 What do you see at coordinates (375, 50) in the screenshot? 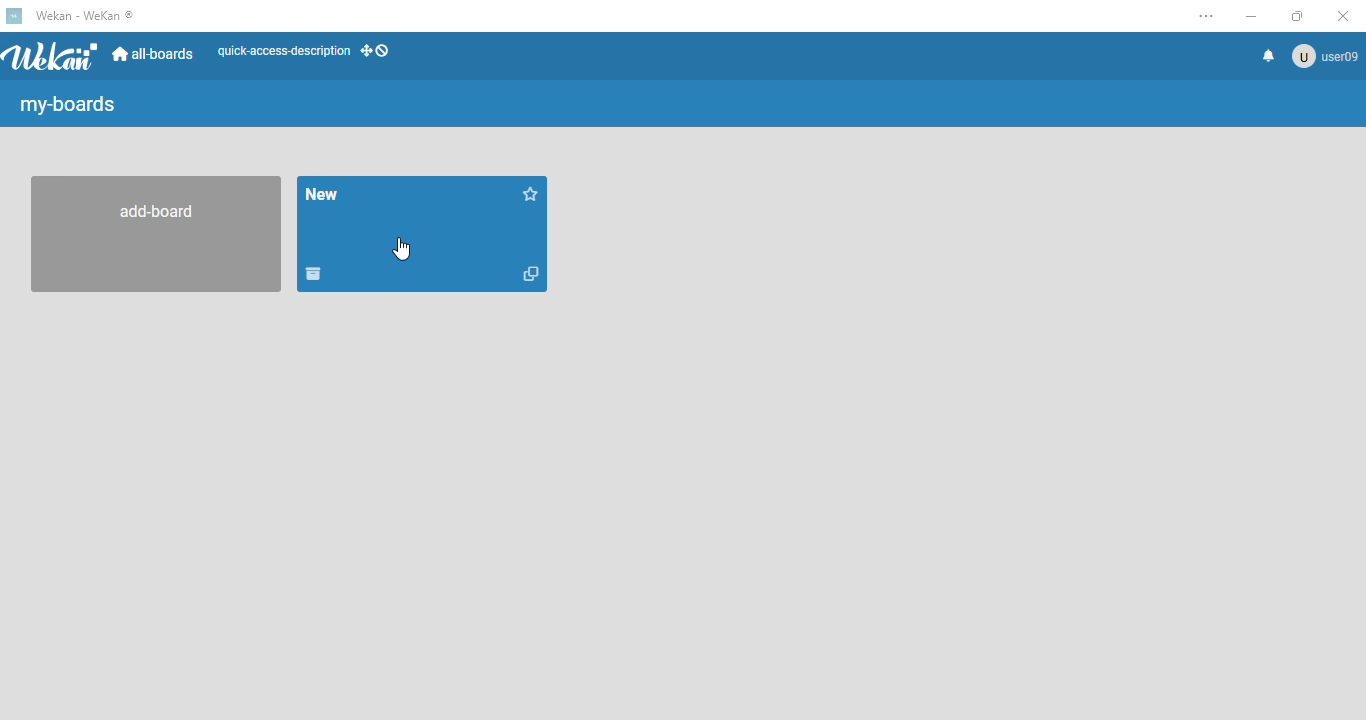
I see `show-desktop-drag-handles` at bounding box center [375, 50].